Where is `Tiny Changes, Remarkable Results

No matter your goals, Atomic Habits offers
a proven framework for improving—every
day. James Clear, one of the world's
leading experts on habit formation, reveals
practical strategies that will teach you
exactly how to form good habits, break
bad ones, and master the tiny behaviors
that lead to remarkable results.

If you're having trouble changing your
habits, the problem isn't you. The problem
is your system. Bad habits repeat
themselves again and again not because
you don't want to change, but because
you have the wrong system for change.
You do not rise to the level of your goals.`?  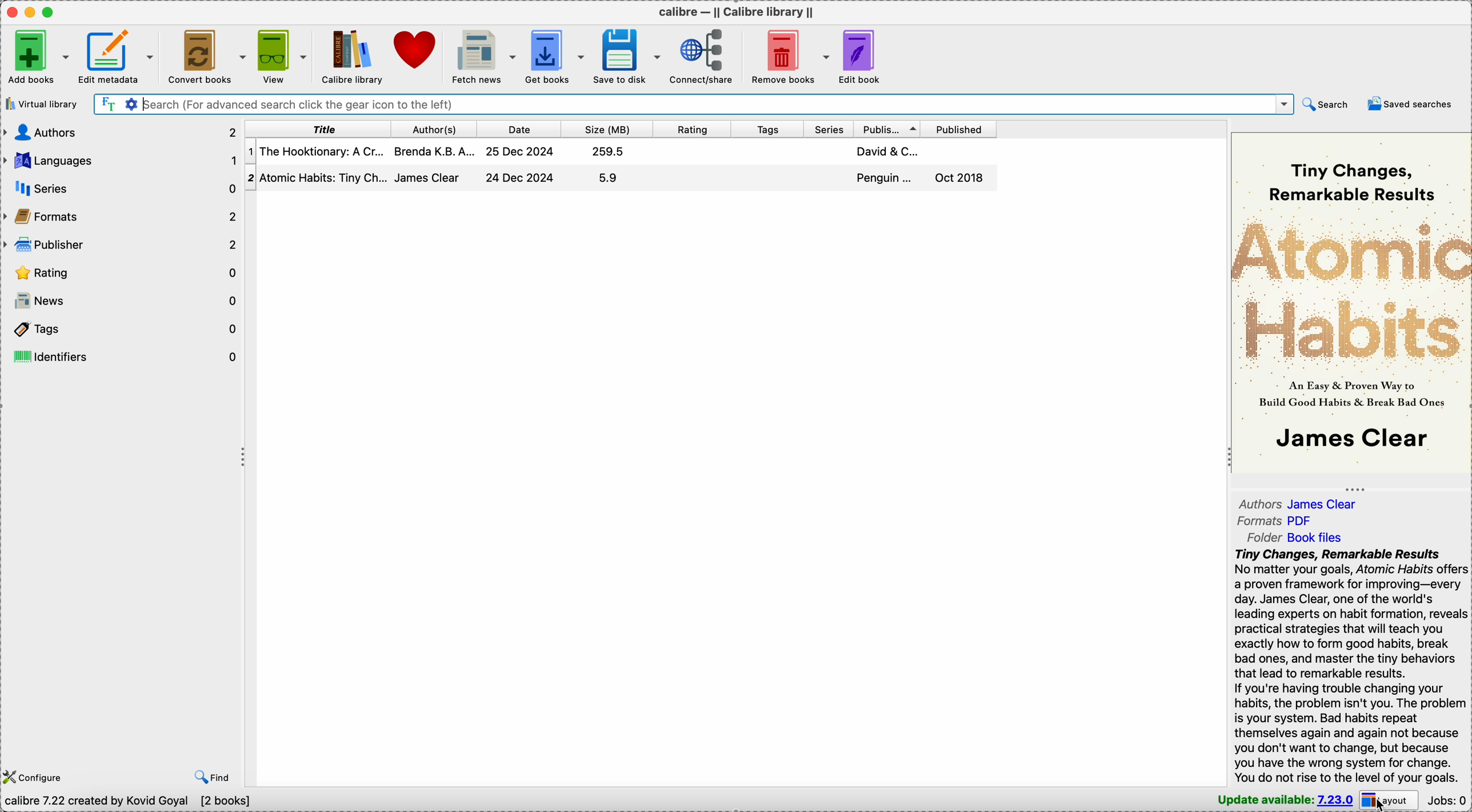 Tiny Changes, Remarkable Results

No matter your goals, Atomic Habits offers
a proven framework for improving—every
day. James Clear, one of the world's
leading experts on habit formation, reveals
practical strategies that will teach you
exactly how to form good habits, break
bad ones, and master the tiny behaviors
that lead to remarkable results.

If you're having trouble changing your
habits, the problem isn't you. The problem
is your system. Bad habits repeat
themselves again and again not because
you don't want to change, but because
you have the wrong system for change.
You do not rise to the level of your goals. is located at coordinates (1352, 666).